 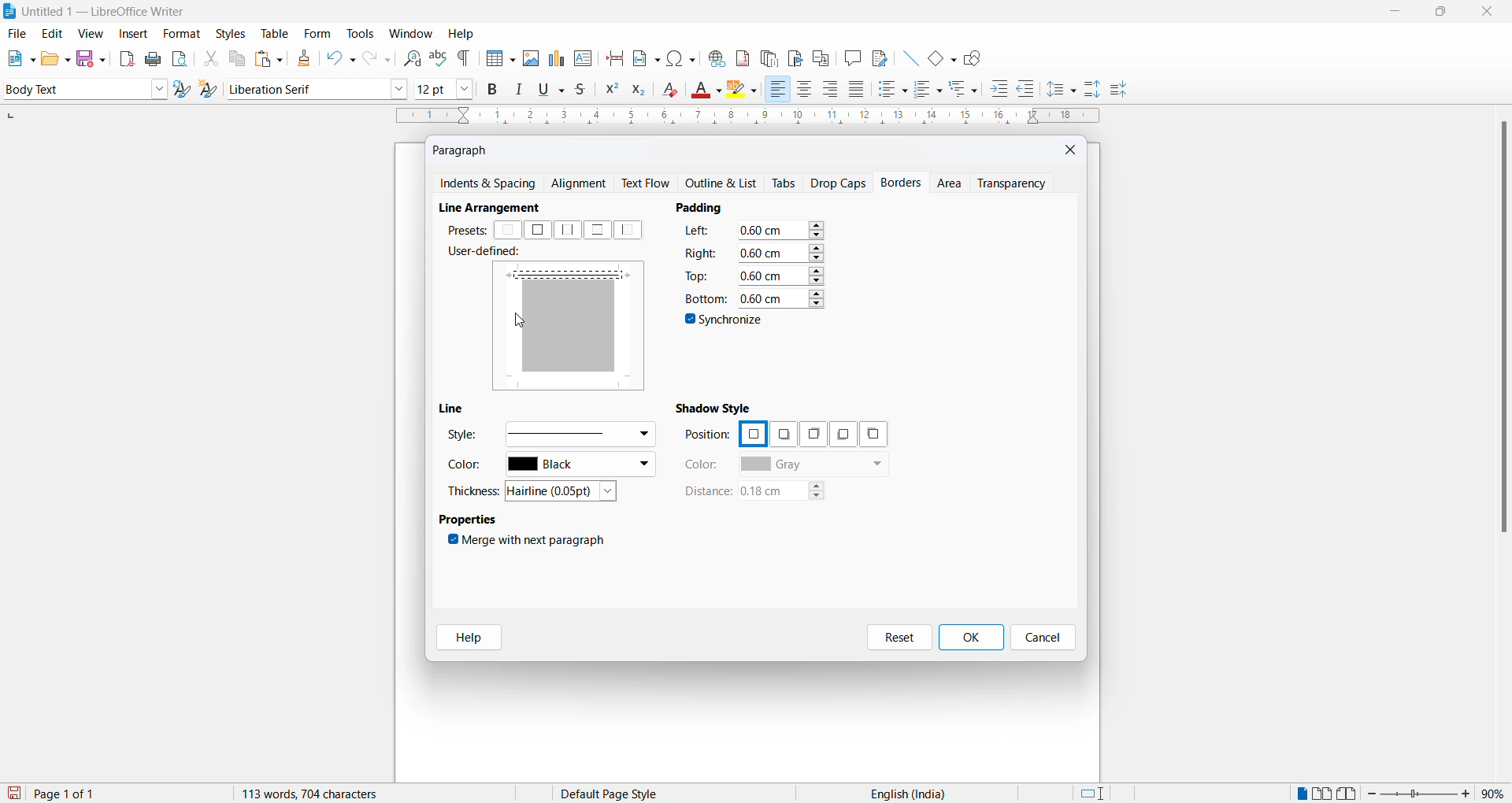 I want to click on font name, so click(x=306, y=88).